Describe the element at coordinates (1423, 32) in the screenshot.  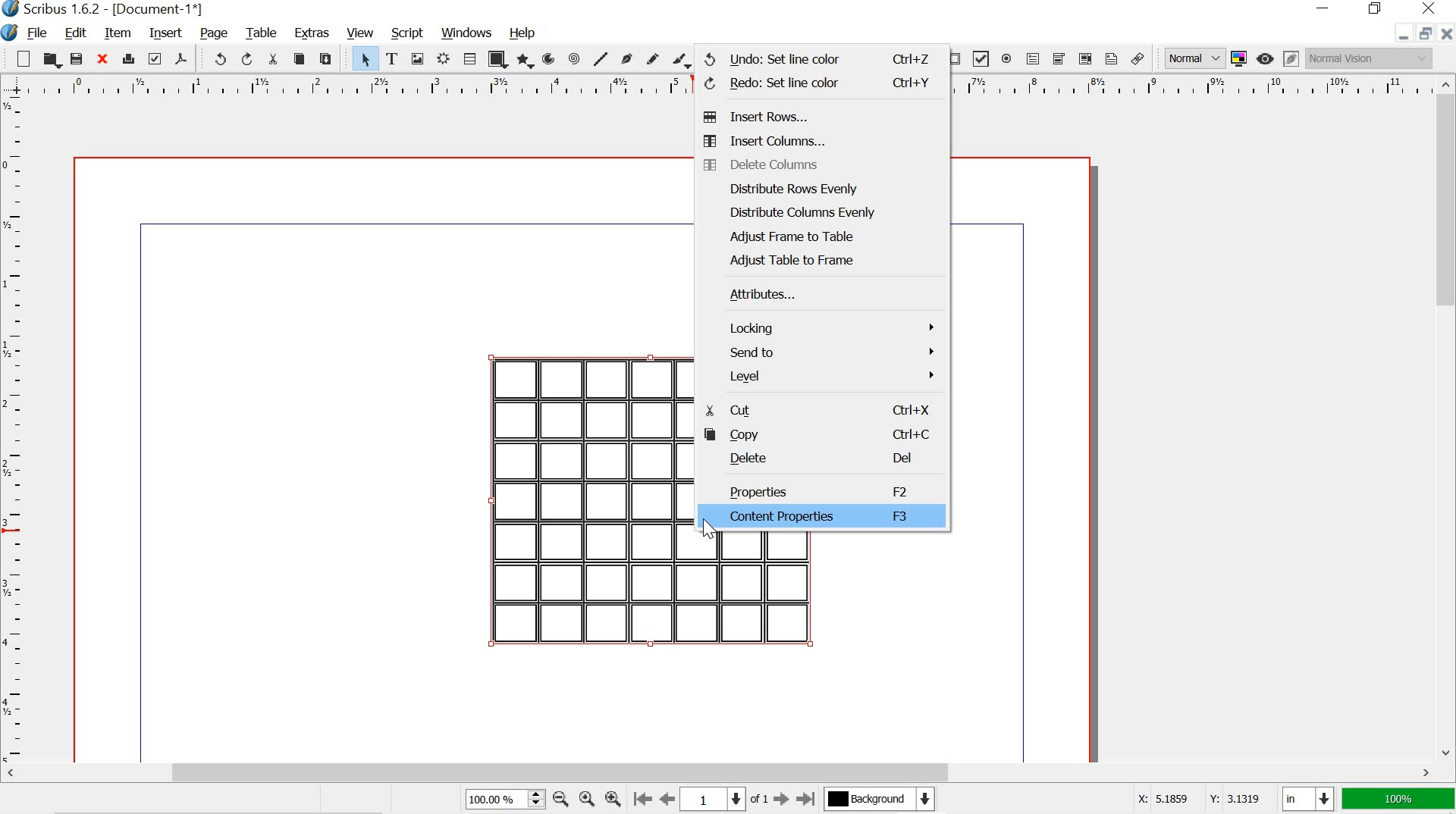
I see `restore down` at that location.